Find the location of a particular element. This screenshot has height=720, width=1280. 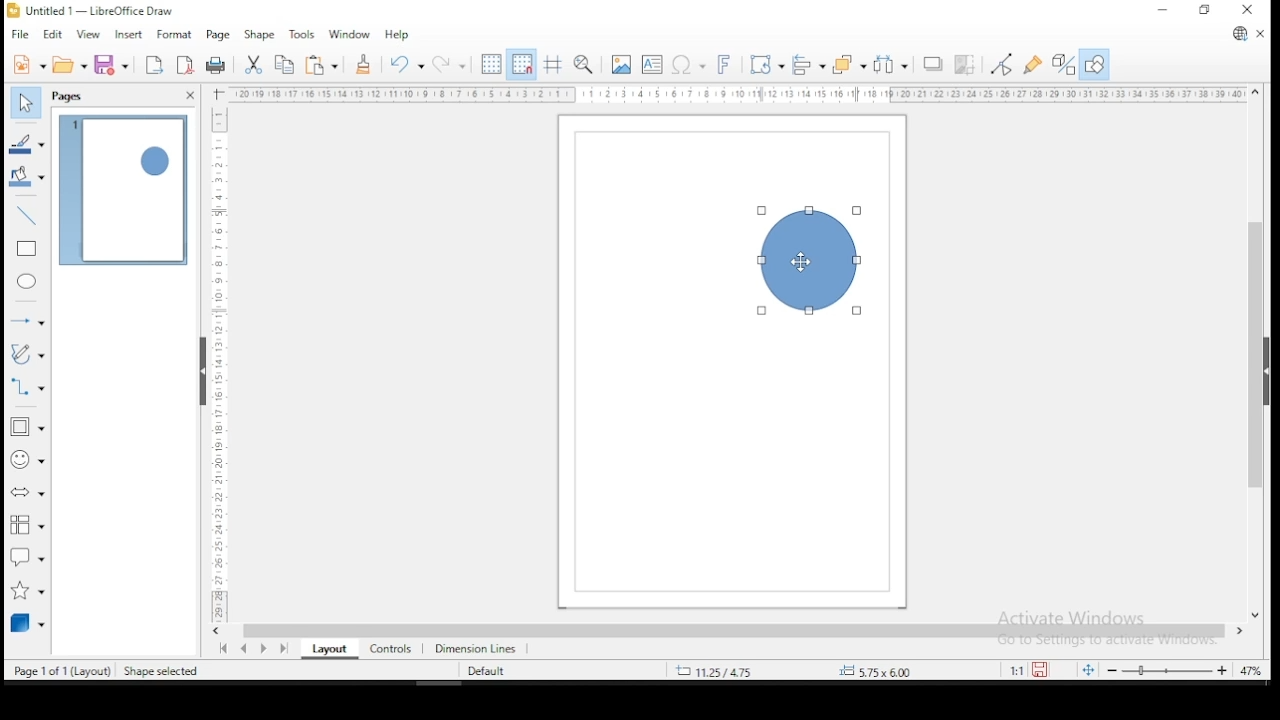

close window is located at coordinates (1249, 10).